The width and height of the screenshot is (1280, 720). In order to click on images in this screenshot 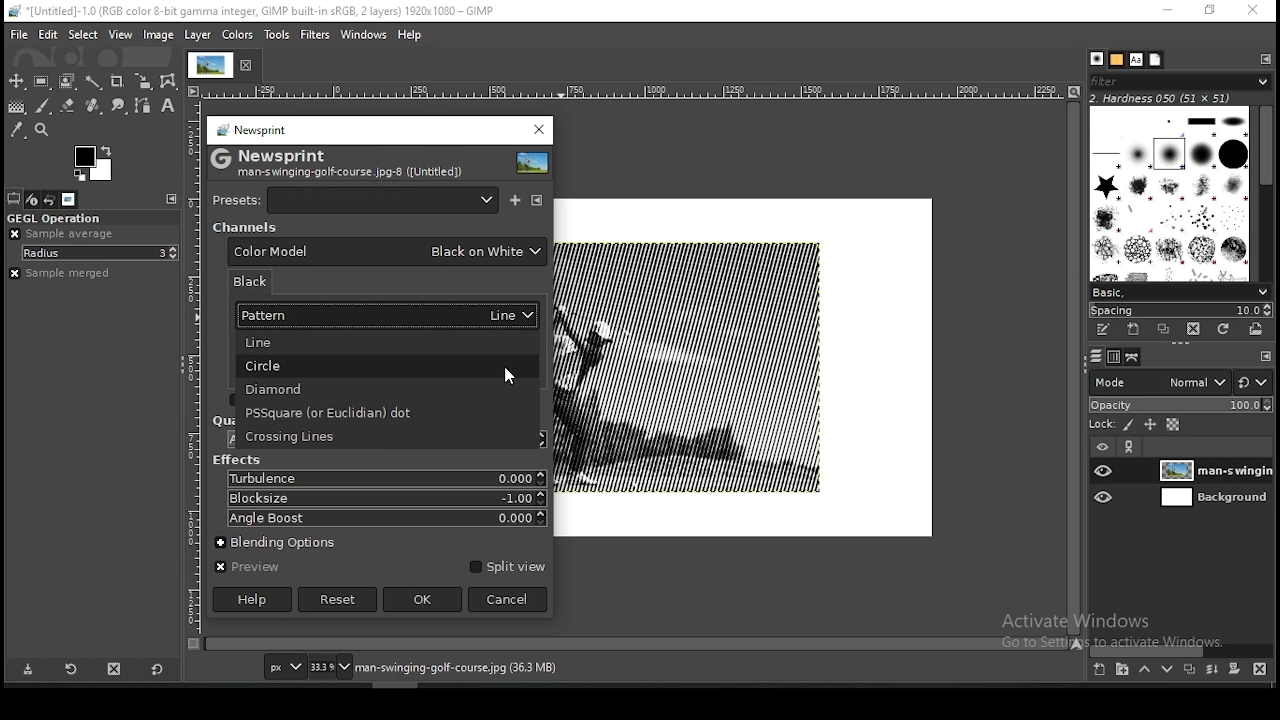, I will do `click(67, 199)`.